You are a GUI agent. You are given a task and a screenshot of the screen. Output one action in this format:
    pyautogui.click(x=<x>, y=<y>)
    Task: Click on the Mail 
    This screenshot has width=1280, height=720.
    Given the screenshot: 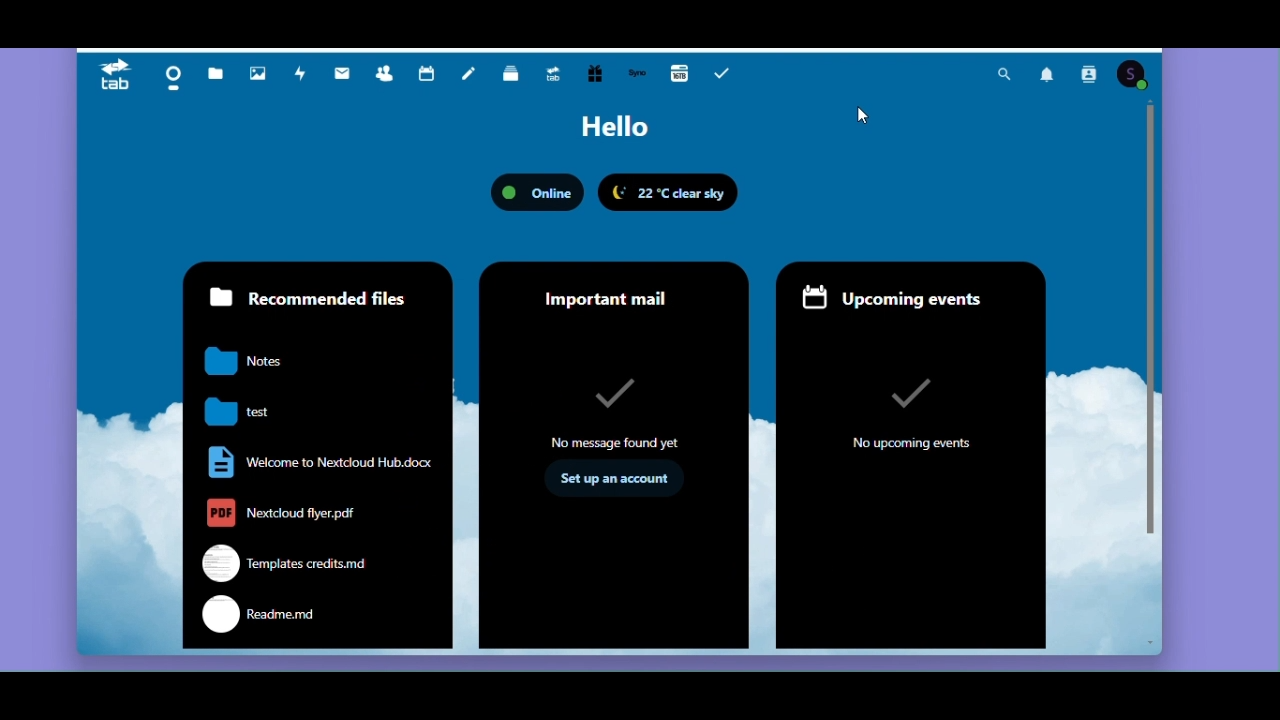 What is the action you would take?
    pyautogui.click(x=347, y=70)
    